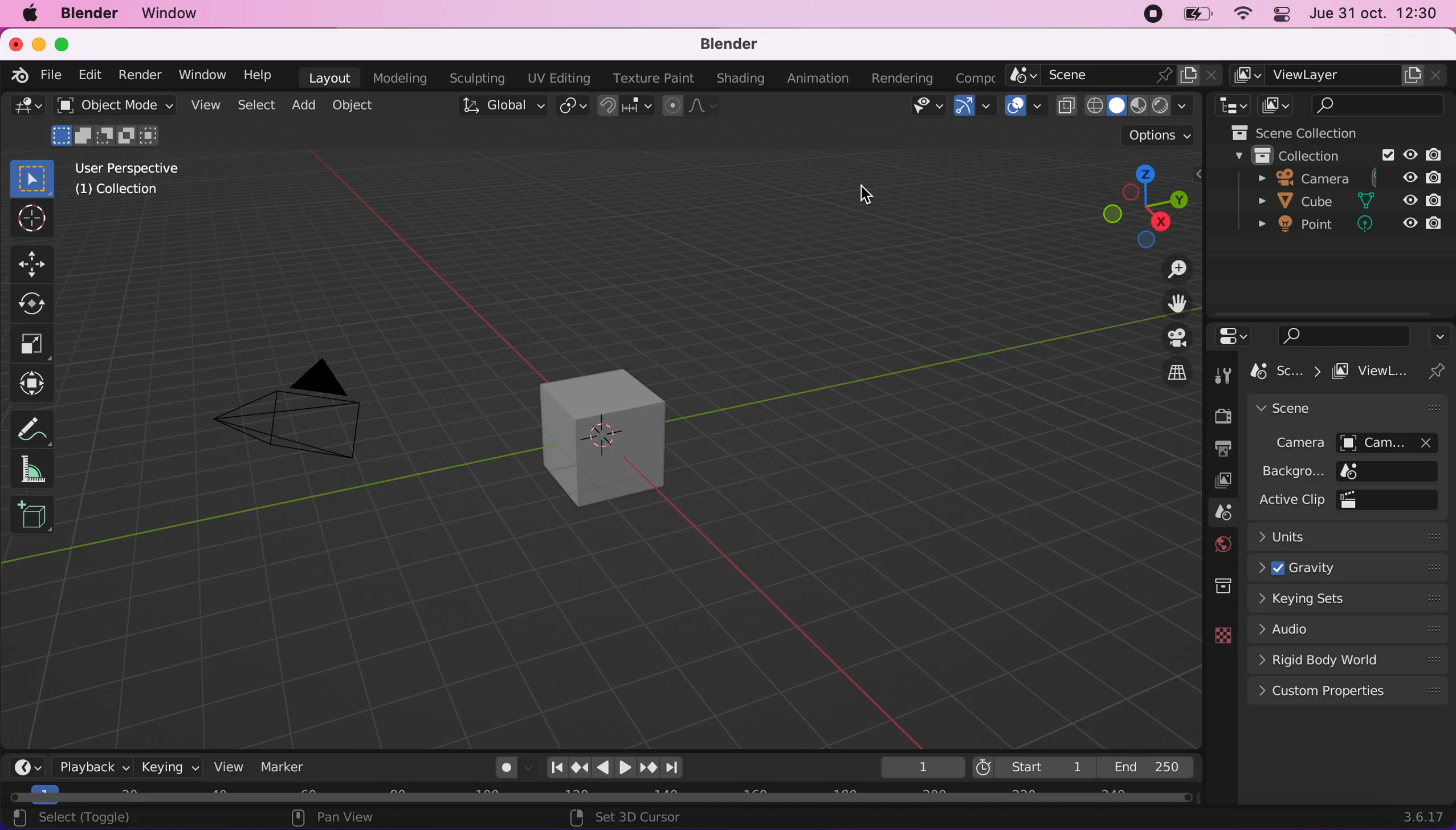 The height and width of the screenshot is (830, 1456). Describe the element at coordinates (1290, 444) in the screenshot. I see `camera` at that location.